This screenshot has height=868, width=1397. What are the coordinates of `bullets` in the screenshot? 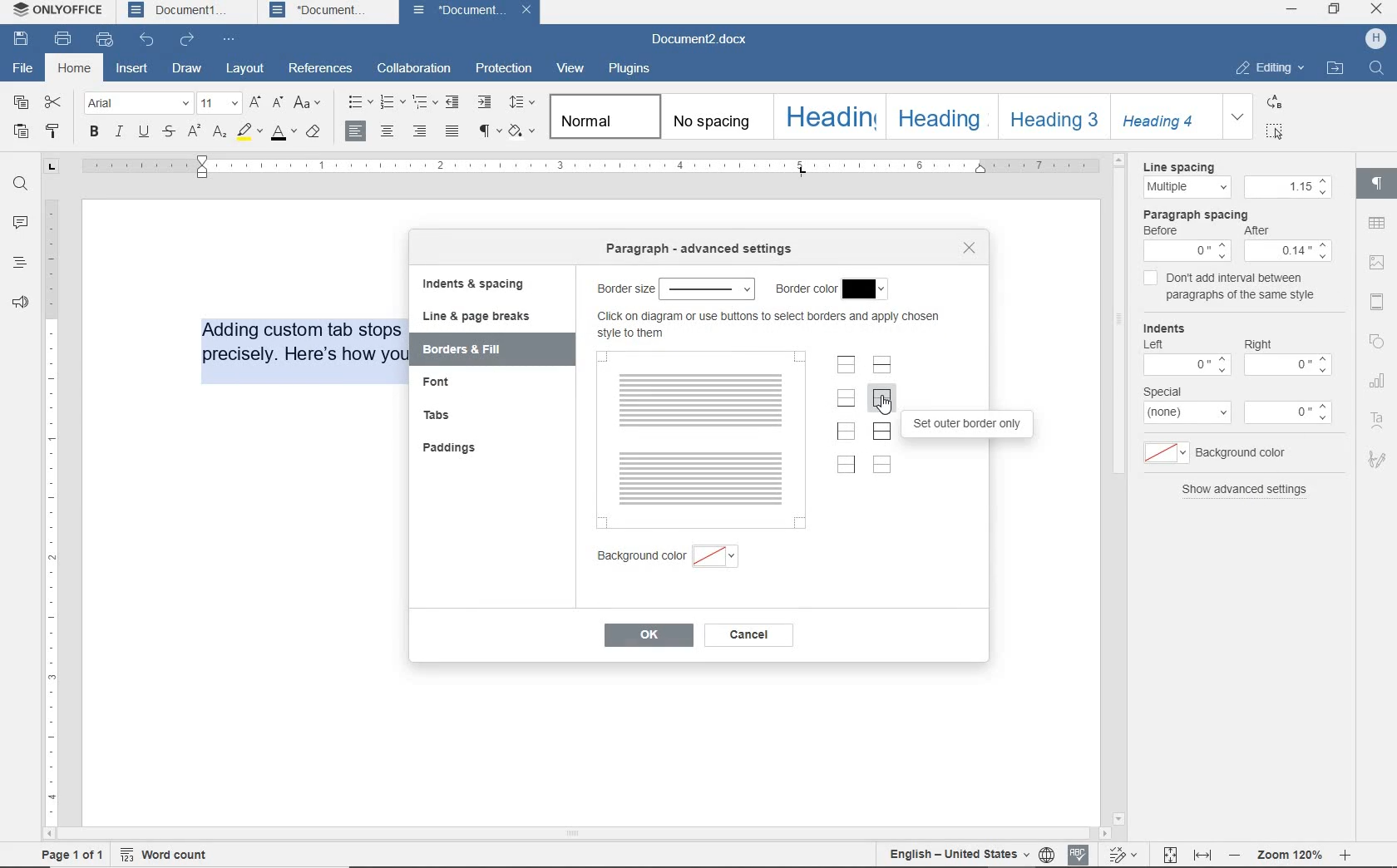 It's located at (358, 101).